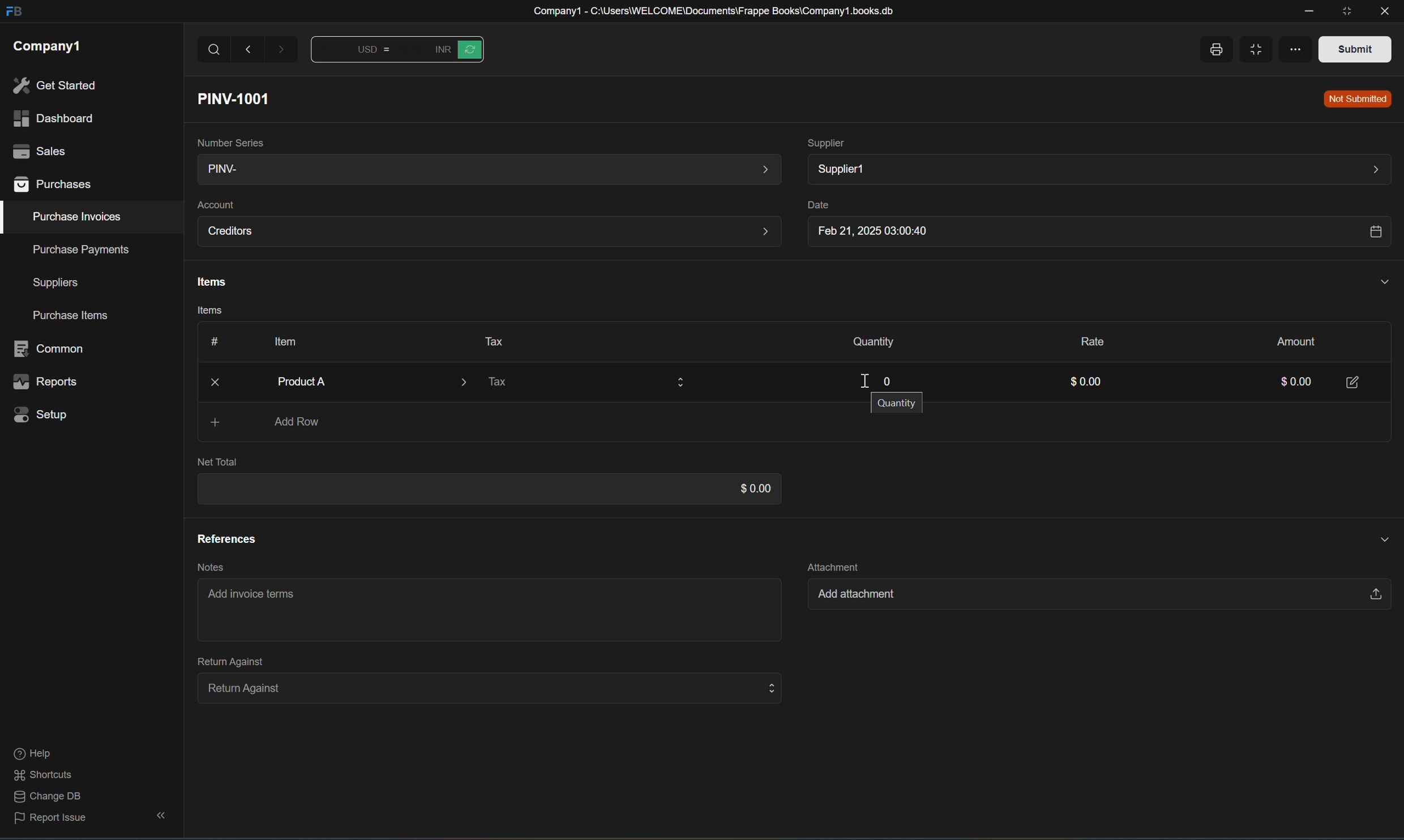 Image resolution: width=1404 pixels, height=840 pixels. What do you see at coordinates (1356, 98) in the screenshot?
I see `Not Submitted` at bounding box center [1356, 98].